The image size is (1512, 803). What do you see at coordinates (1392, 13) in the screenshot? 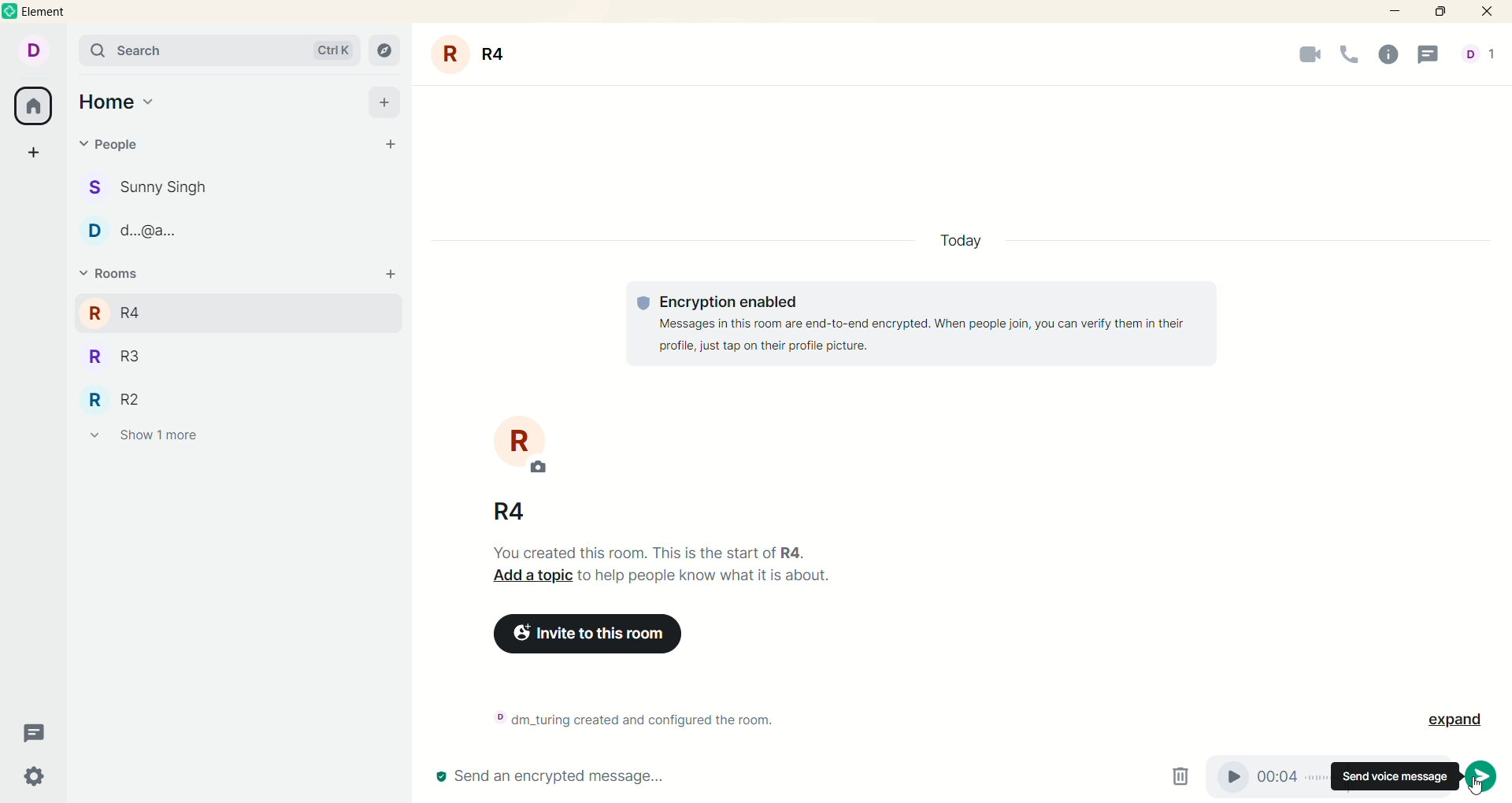
I see `minimize` at bounding box center [1392, 13].